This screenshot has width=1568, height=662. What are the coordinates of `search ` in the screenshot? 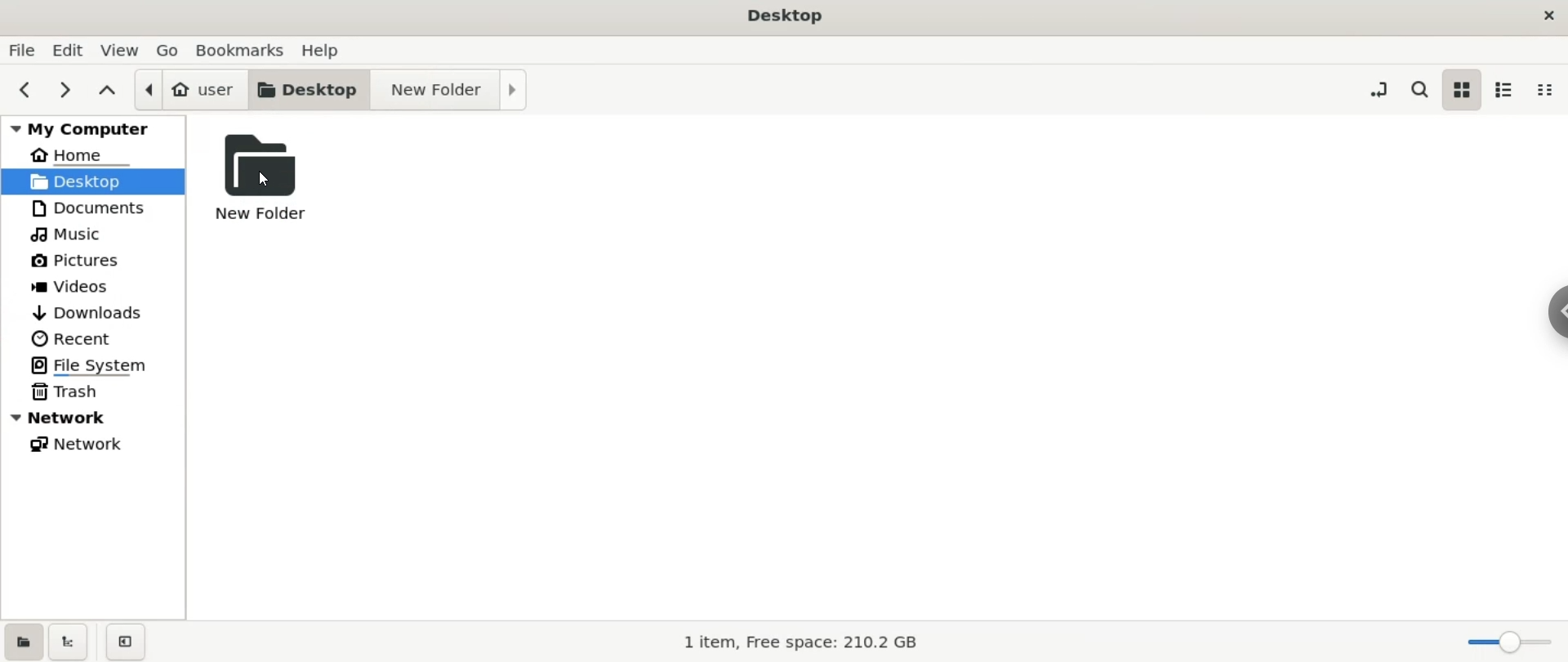 It's located at (1419, 89).